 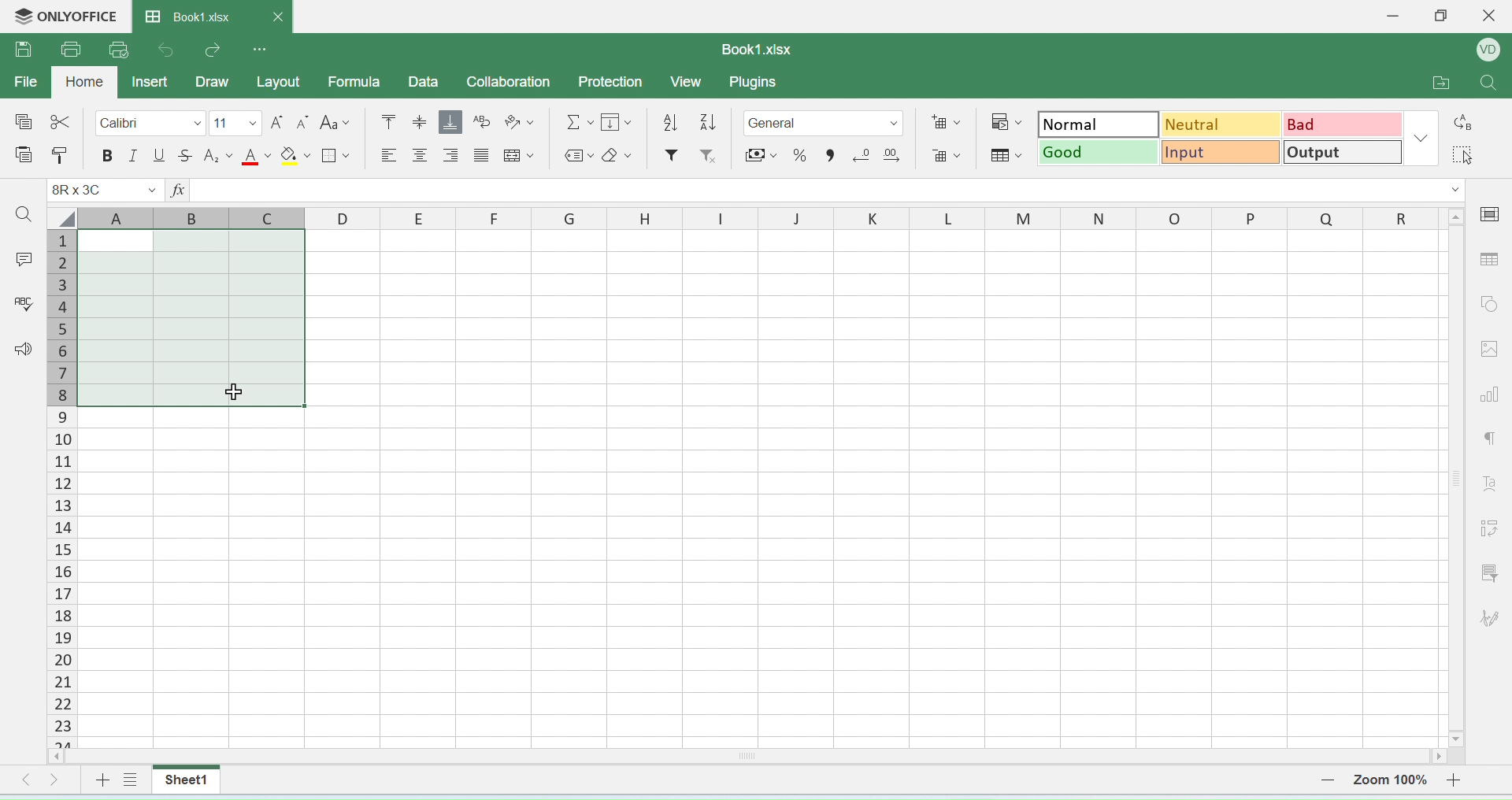 I want to click on format, so click(x=824, y=123).